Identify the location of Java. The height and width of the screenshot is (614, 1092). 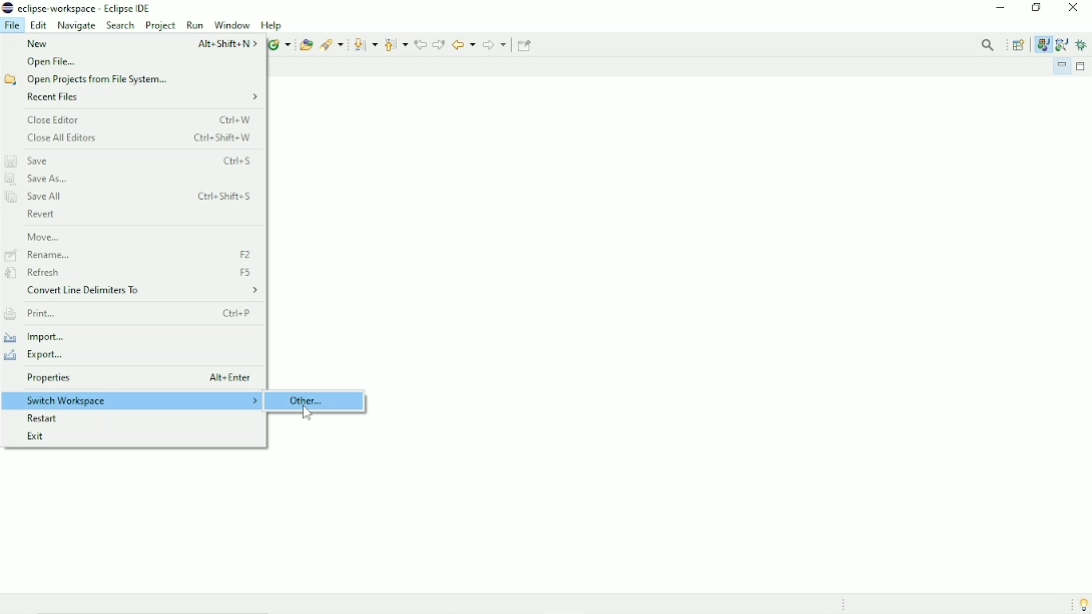
(1042, 44).